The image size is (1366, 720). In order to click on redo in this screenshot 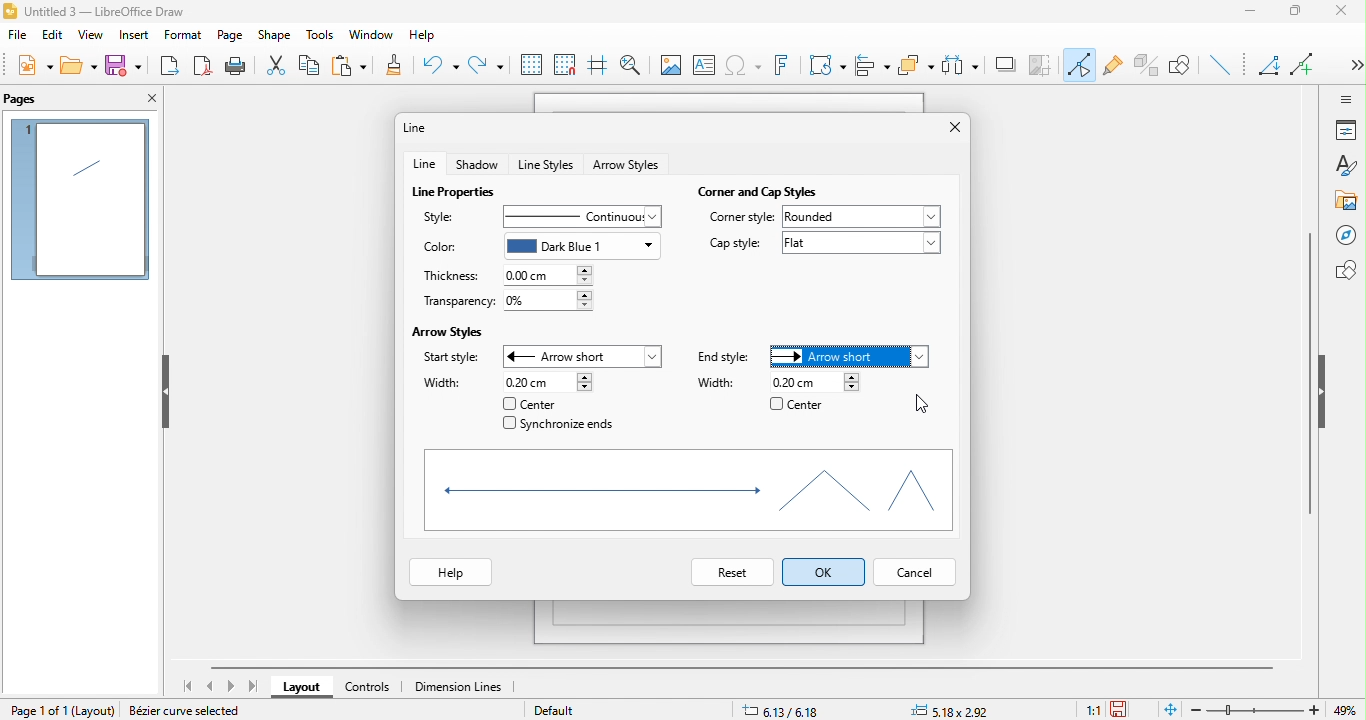, I will do `click(486, 61)`.